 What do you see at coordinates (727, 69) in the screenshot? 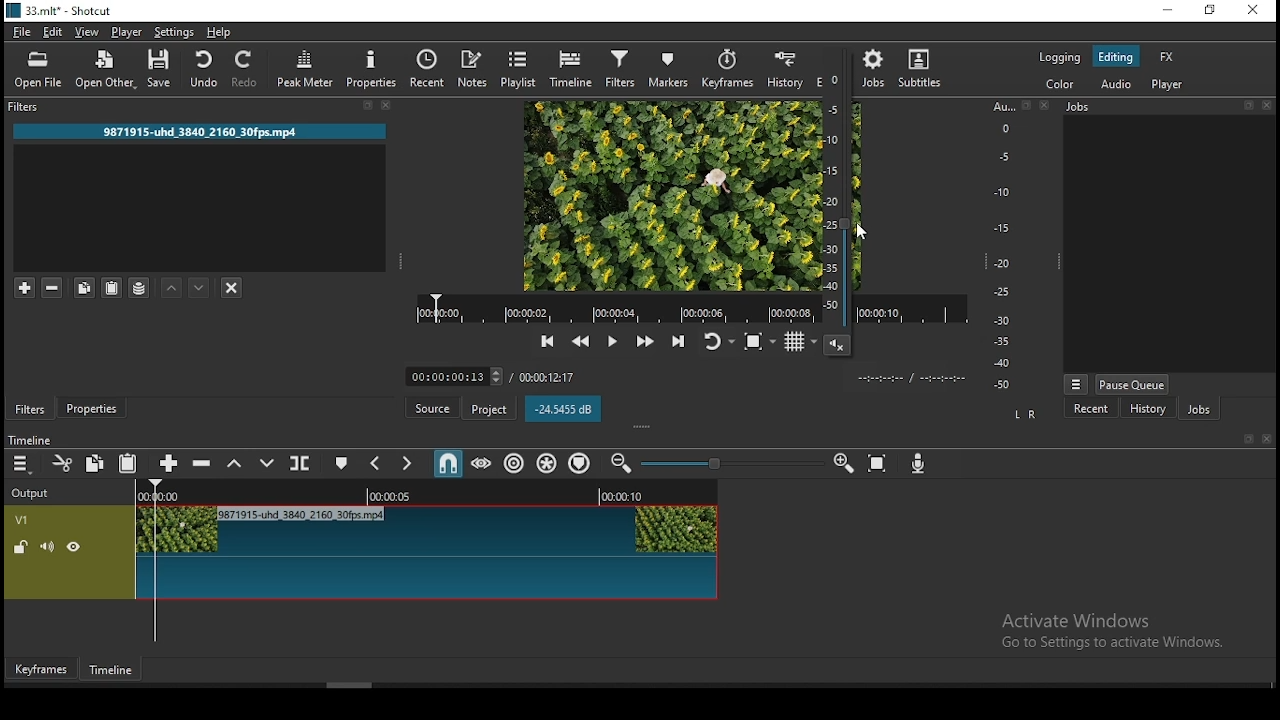
I see `keyframes` at bounding box center [727, 69].